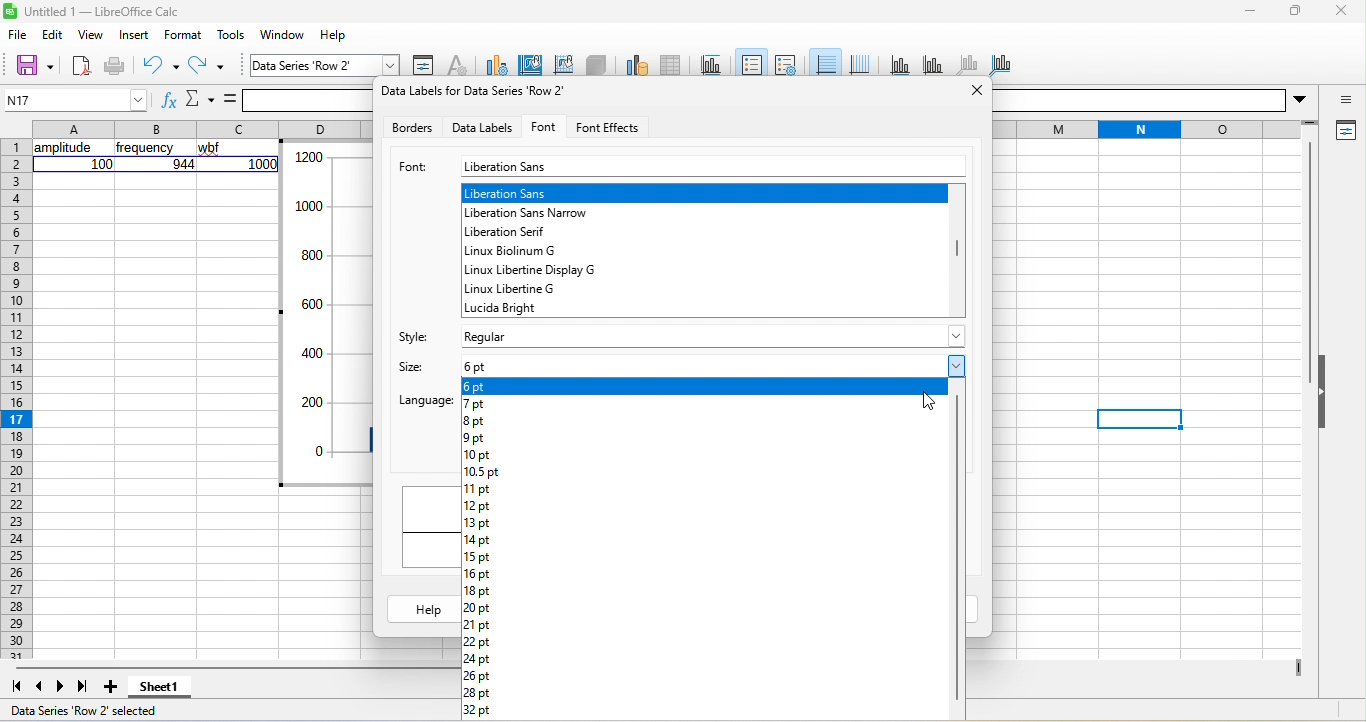 The image size is (1366, 722). Describe the element at coordinates (478, 659) in the screenshot. I see `24 pt` at that location.